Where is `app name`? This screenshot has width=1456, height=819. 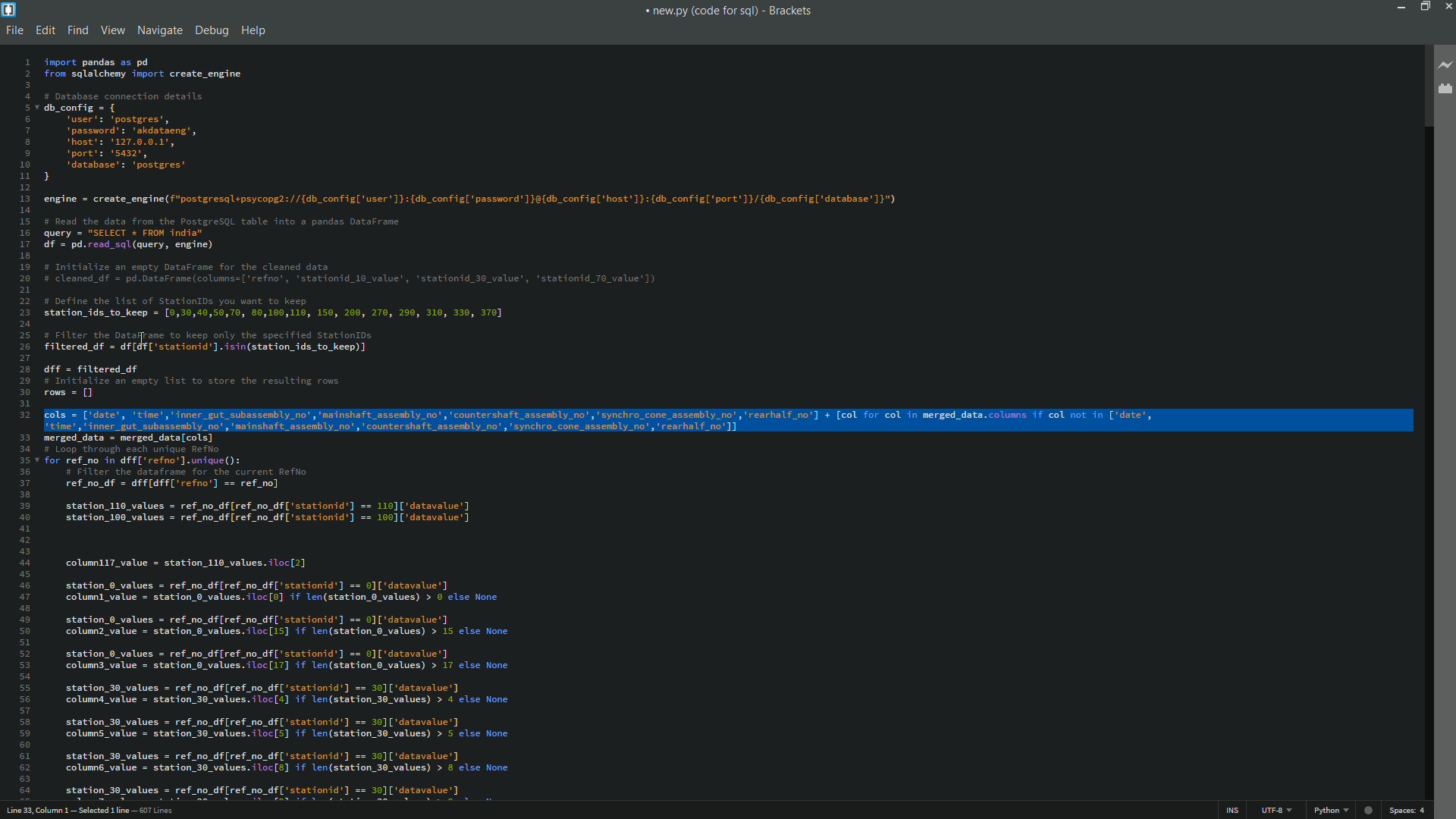
app name is located at coordinates (790, 11).